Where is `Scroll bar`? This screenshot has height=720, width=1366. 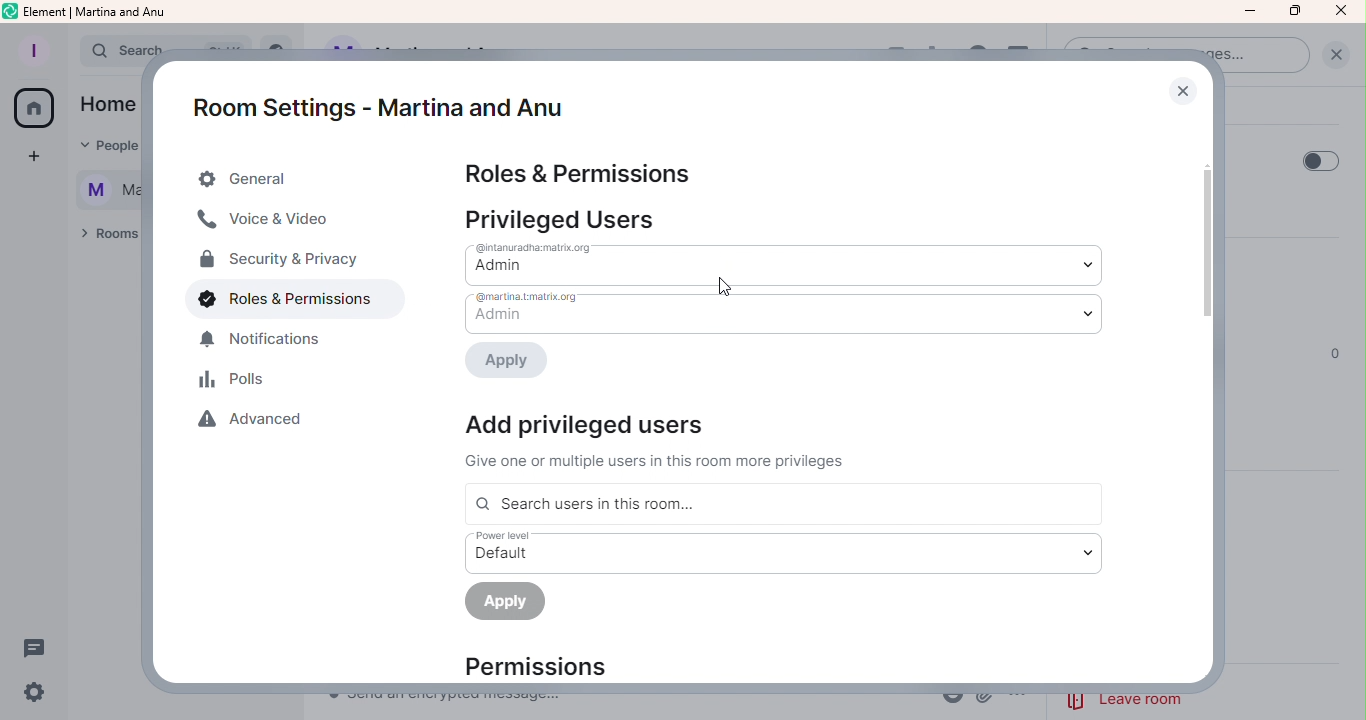
Scroll bar is located at coordinates (1213, 396).